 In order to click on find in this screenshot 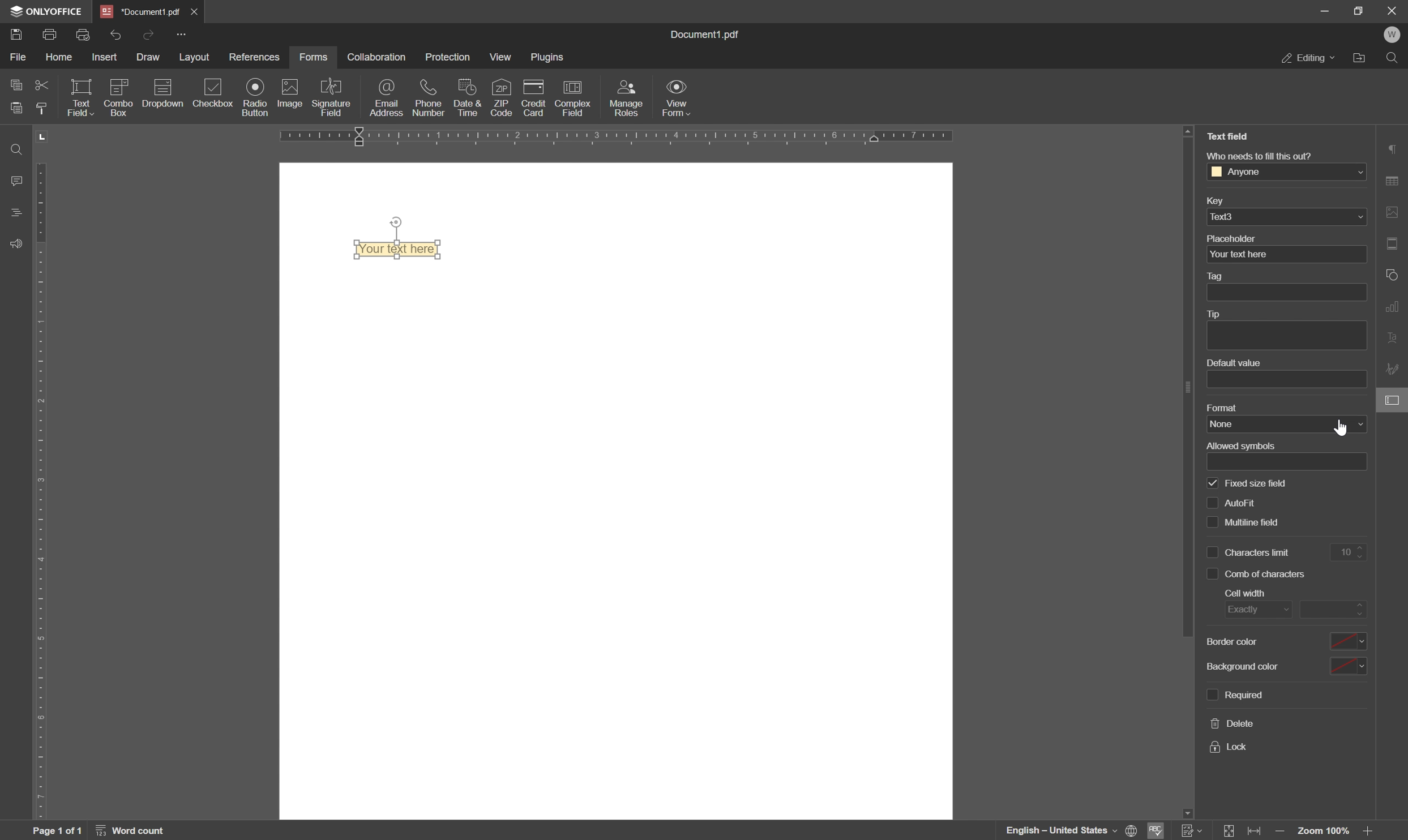, I will do `click(13, 148)`.